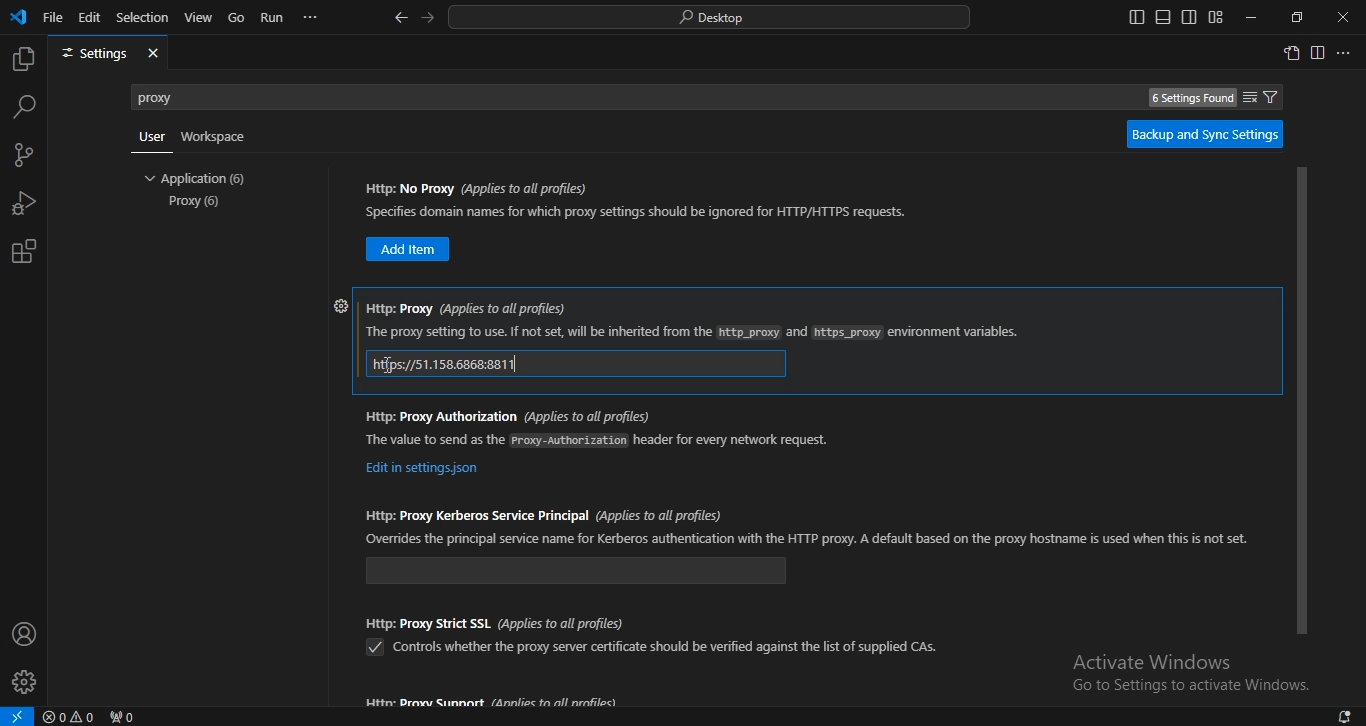 The image size is (1366, 726). What do you see at coordinates (23, 634) in the screenshot?
I see `accounts` at bounding box center [23, 634].